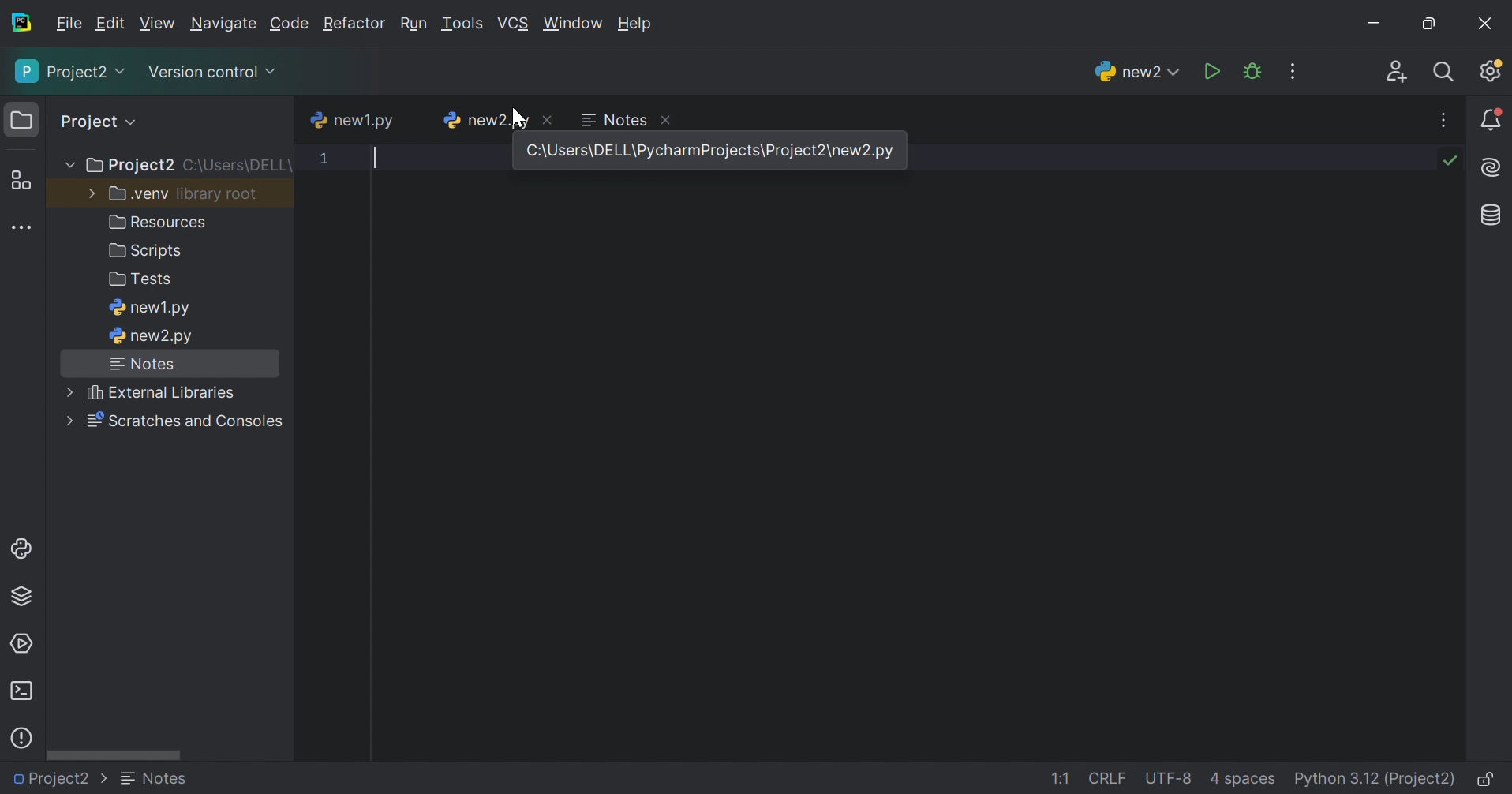 The image size is (1512, 794). What do you see at coordinates (69, 24) in the screenshot?
I see `File` at bounding box center [69, 24].